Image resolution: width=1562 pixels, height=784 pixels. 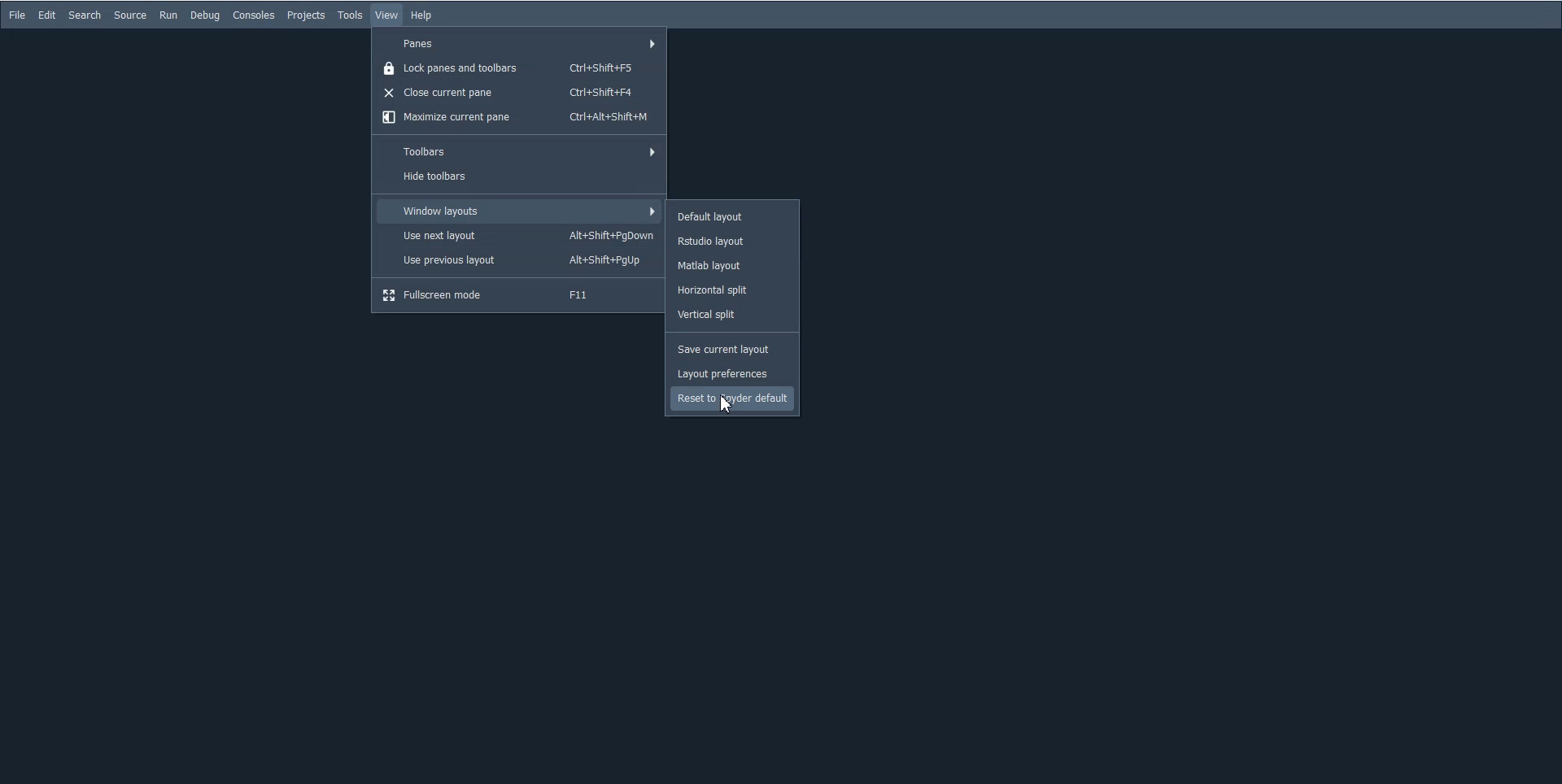 What do you see at coordinates (731, 373) in the screenshot?
I see `Layout preferences` at bounding box center [731, 373].